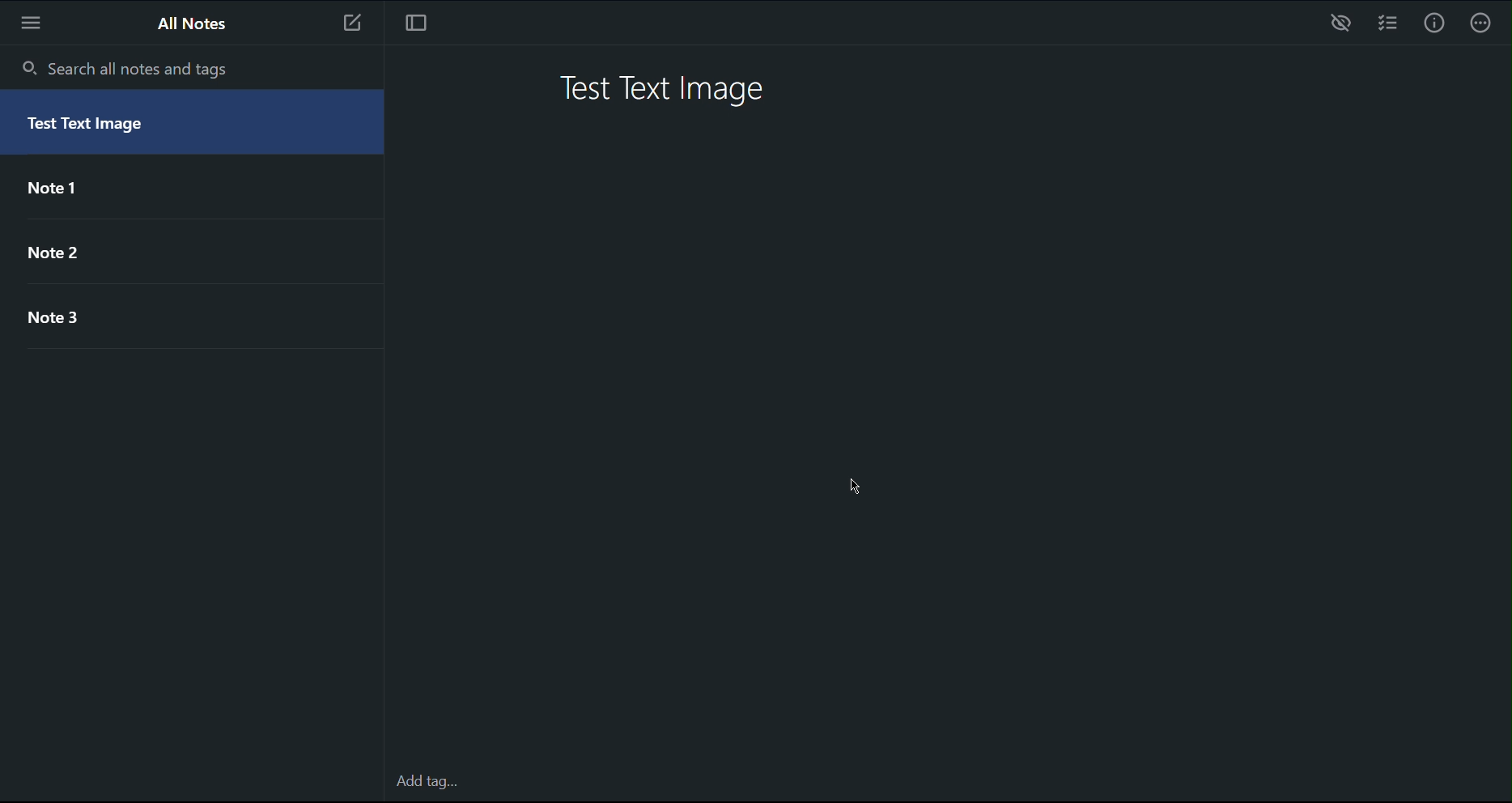 The image size is (1512, 803). Describe the element at coordinates (1484, 26) in the screenshot. I see `More` at that location.